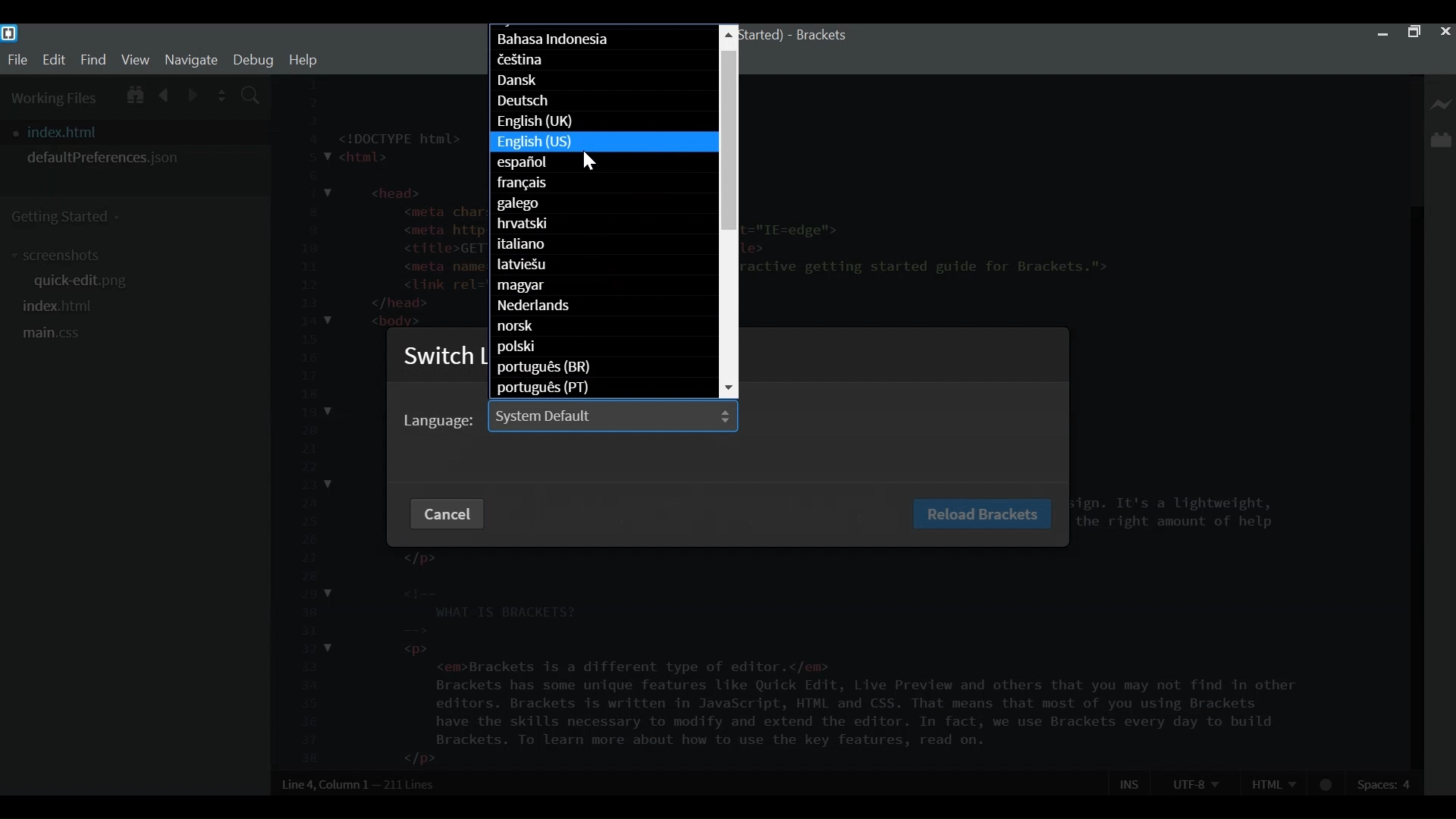  What do you see at coordinates (133, 93) in the screenshot?
I see `Show in File Tree` at bounding box center [133, 93].